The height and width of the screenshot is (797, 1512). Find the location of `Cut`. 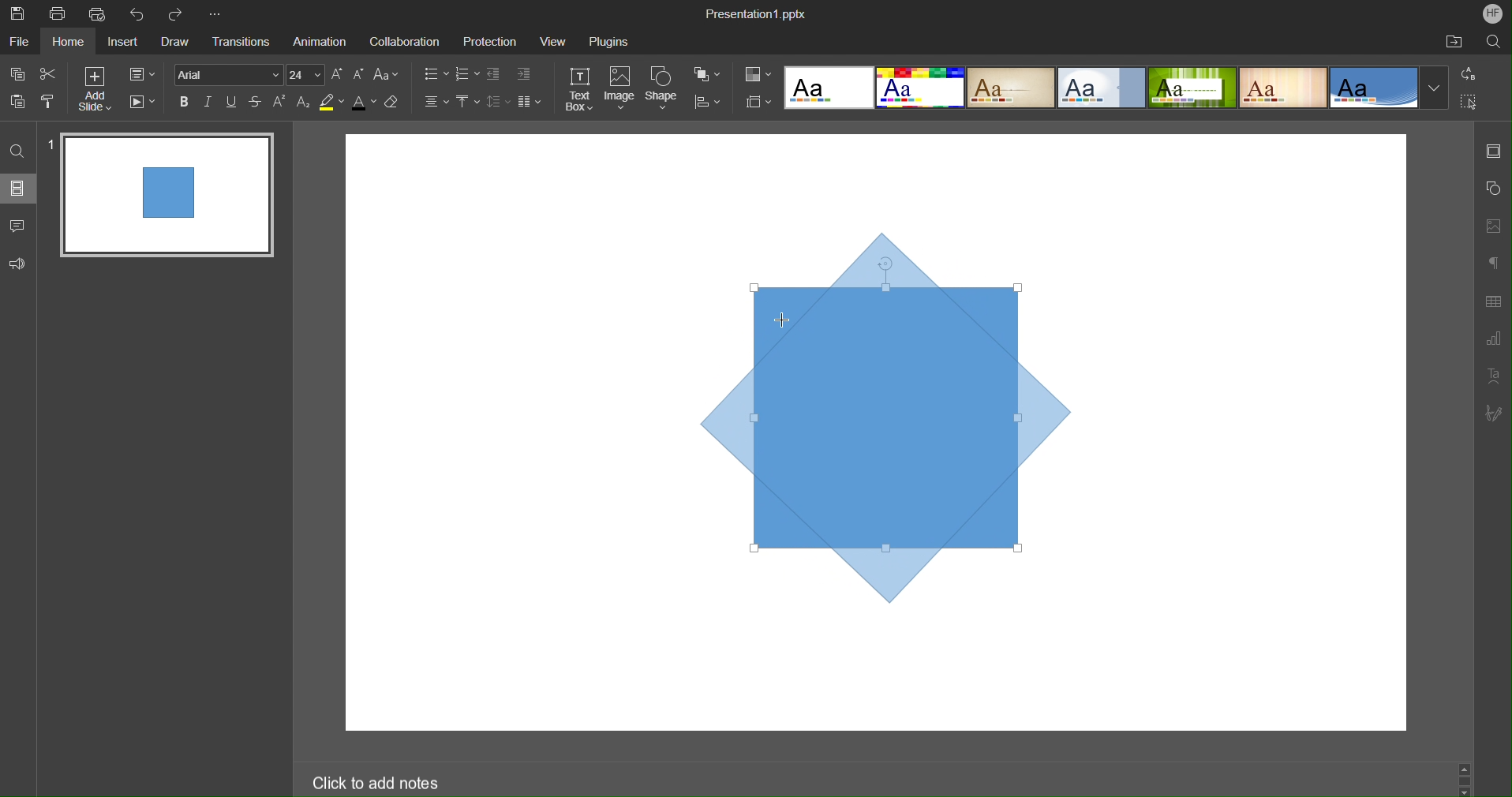

Cut is located at coordinates (46, 73).